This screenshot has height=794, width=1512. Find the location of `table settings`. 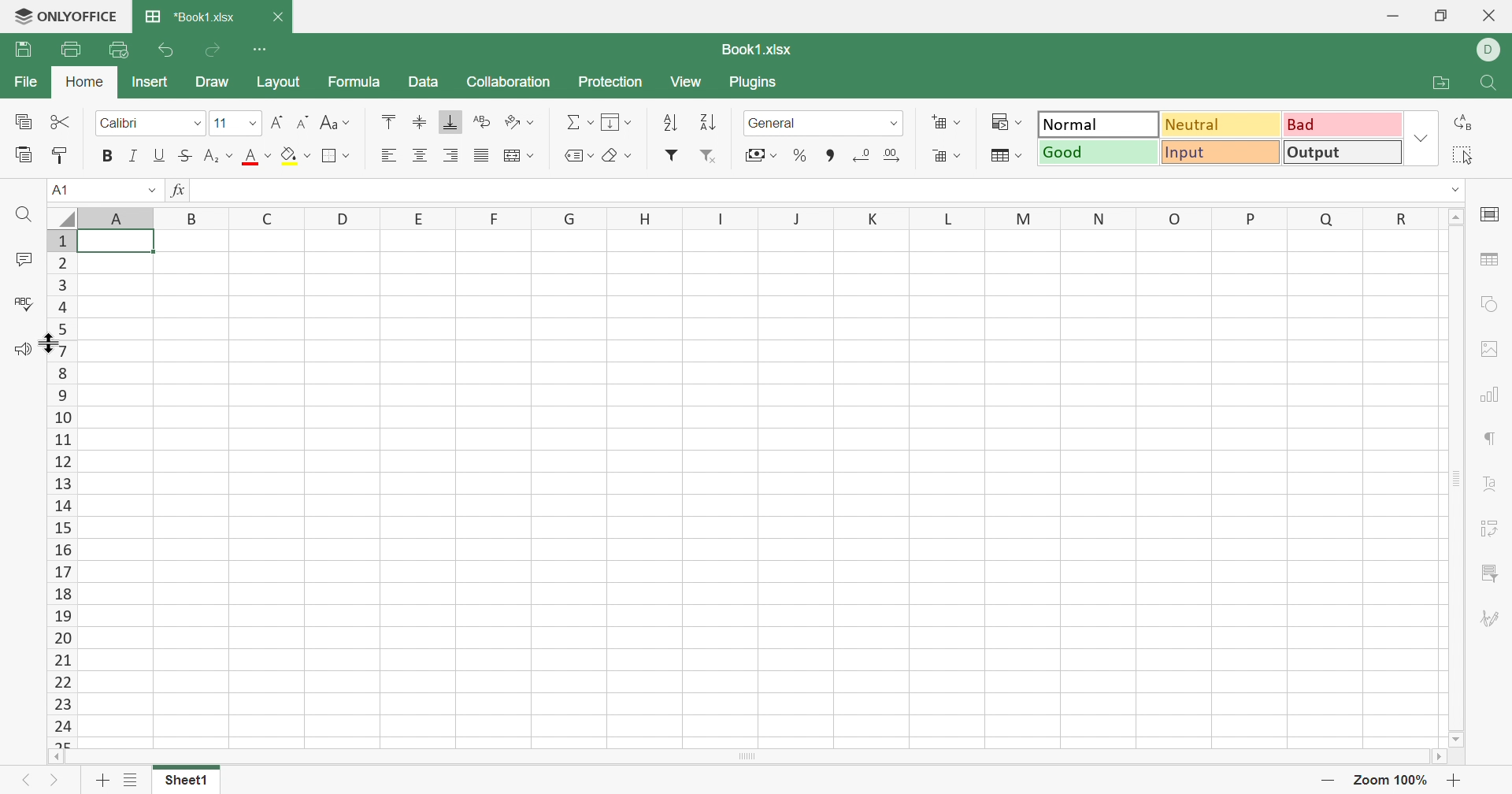

table settings is located at coordinates (1490, 259).